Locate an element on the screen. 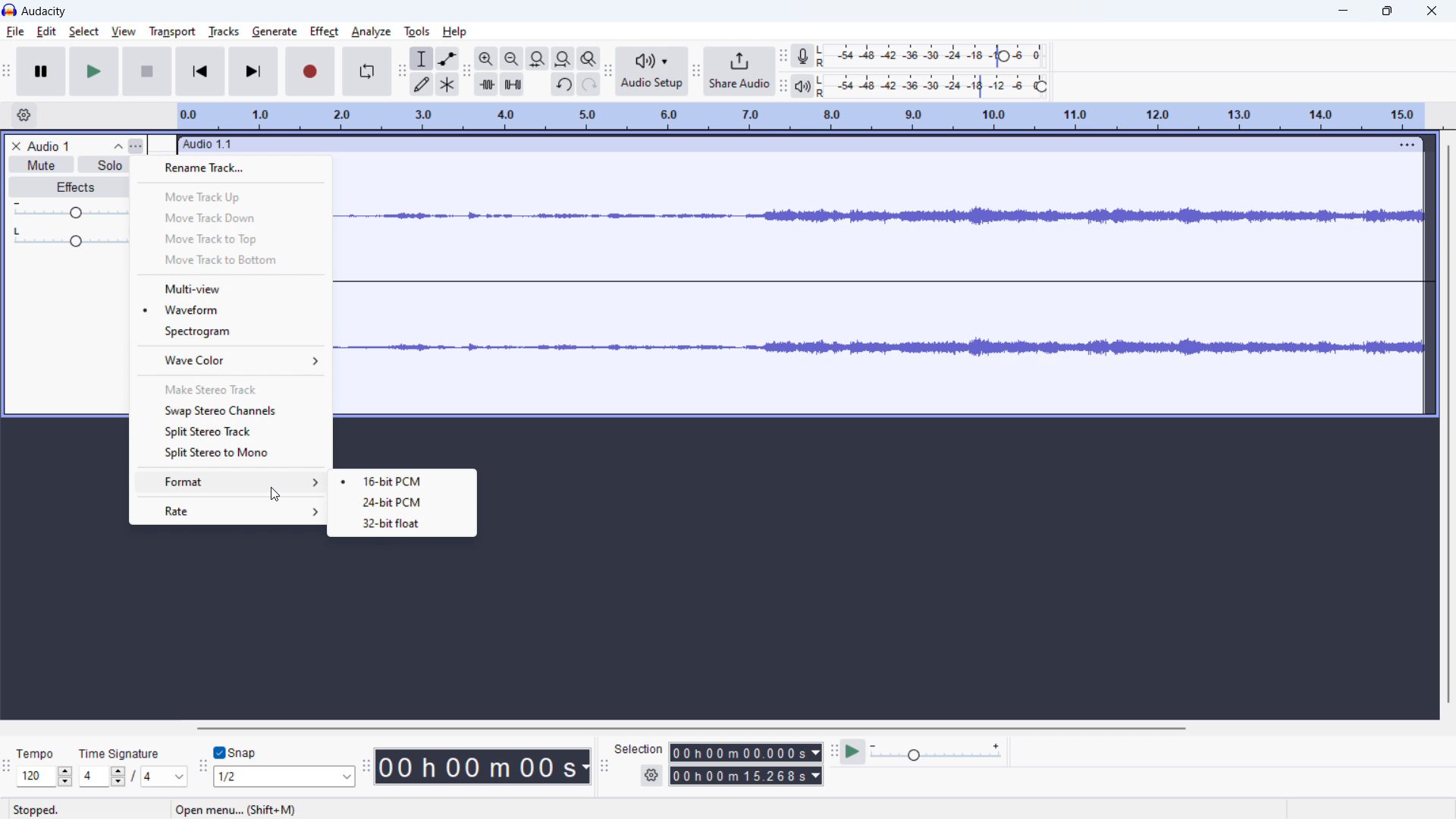 The width and height of the screenshot is (1456, 819). time toolbar is located at coordinates (366, 767).